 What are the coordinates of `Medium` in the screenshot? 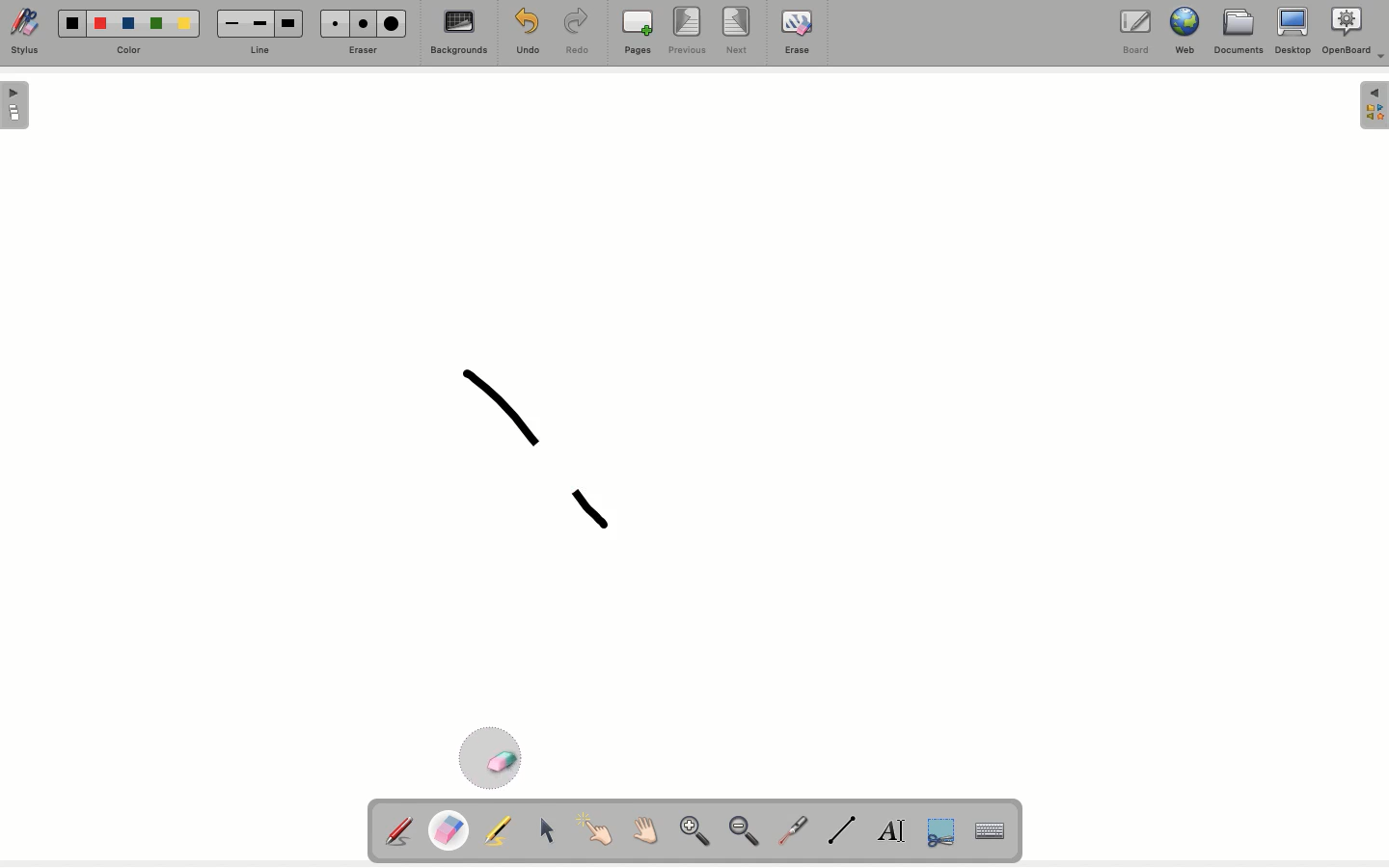 It's located at (366, 24).